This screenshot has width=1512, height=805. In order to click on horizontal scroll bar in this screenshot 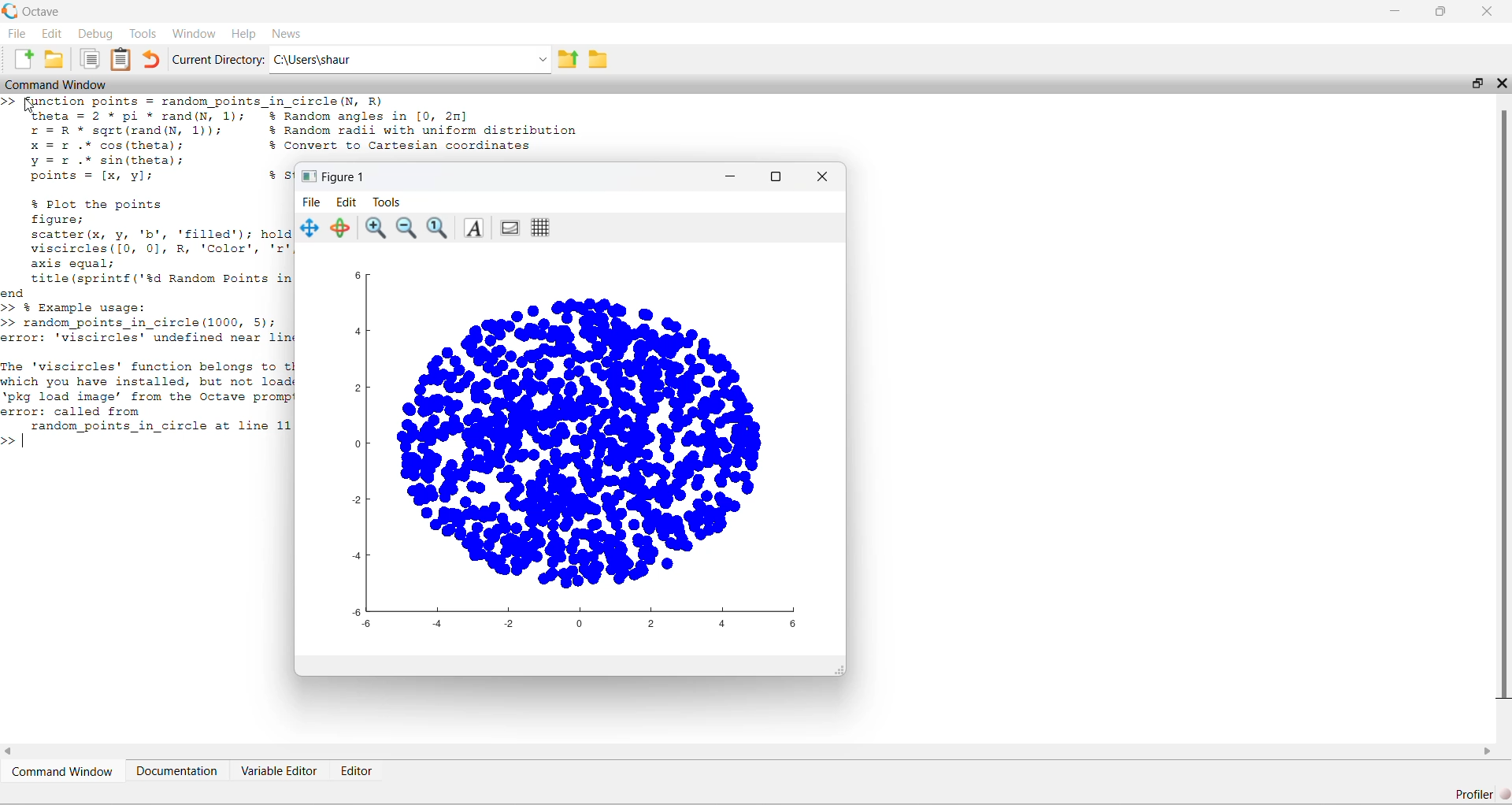, I will do `click(749, 751)`.